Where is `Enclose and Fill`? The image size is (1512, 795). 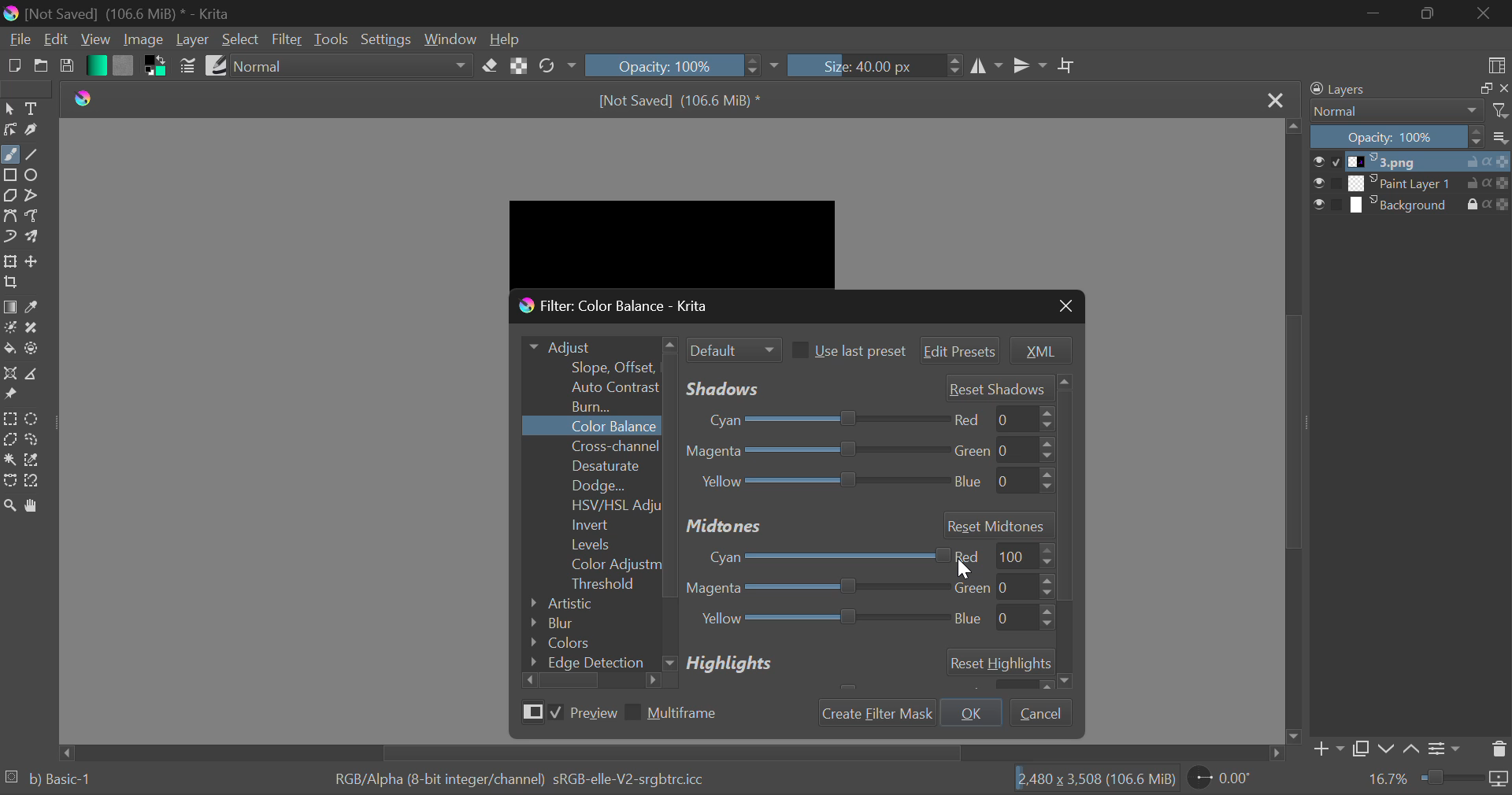
Enclose and Fill is located at coordinates (33, 349).